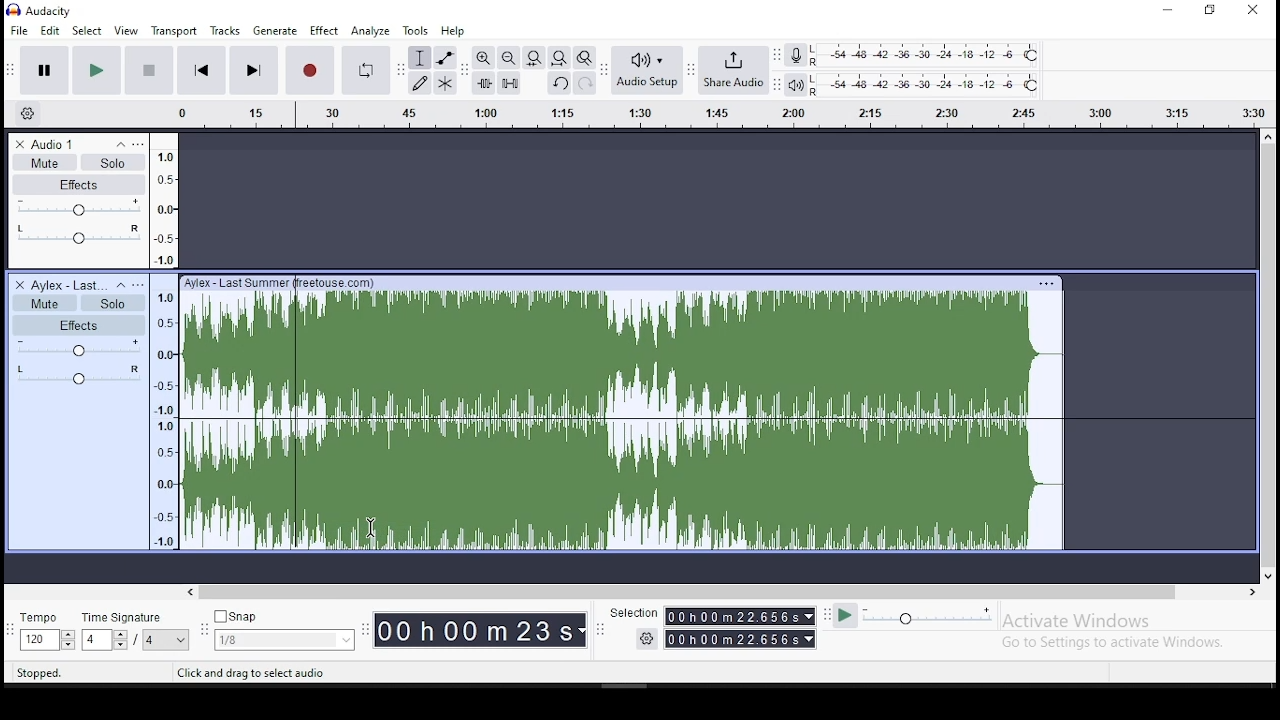 This screenshot has height=720, width=1280. What do you see at coordinates (584, 57) in the screenshot?
I see `zoom toggle` at bounding box center [584, 57].